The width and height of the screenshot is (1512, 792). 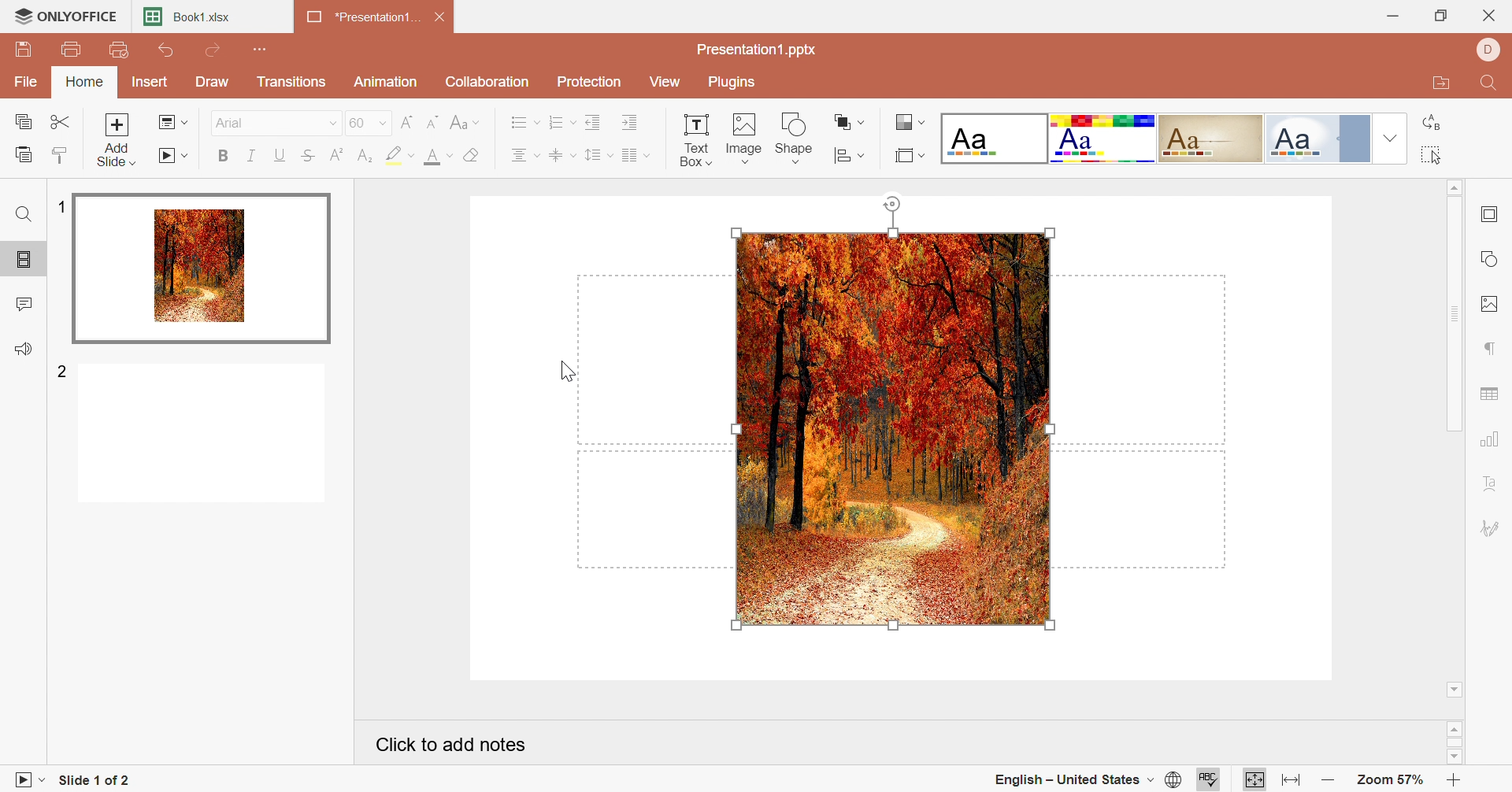 I want to click on Paste style, so click(x=64, y=154).